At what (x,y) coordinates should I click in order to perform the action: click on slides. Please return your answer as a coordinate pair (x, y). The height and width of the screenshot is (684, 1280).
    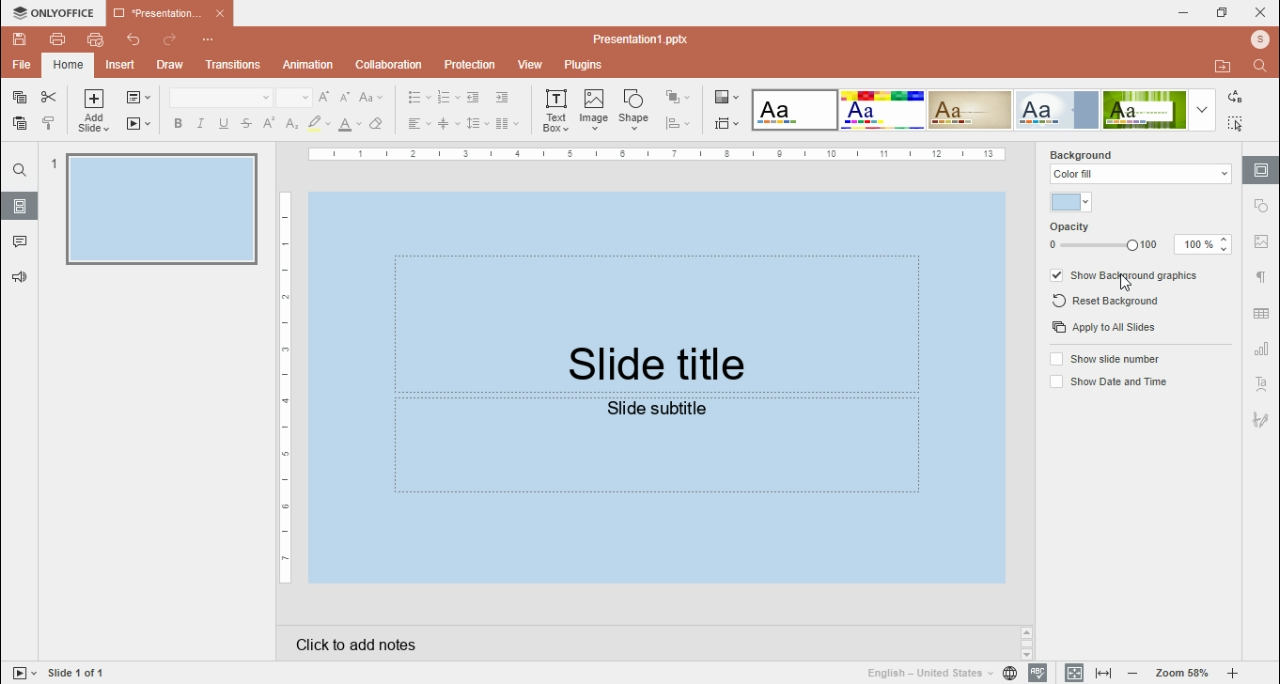
    Looking at the image, I should click on (20, 206).